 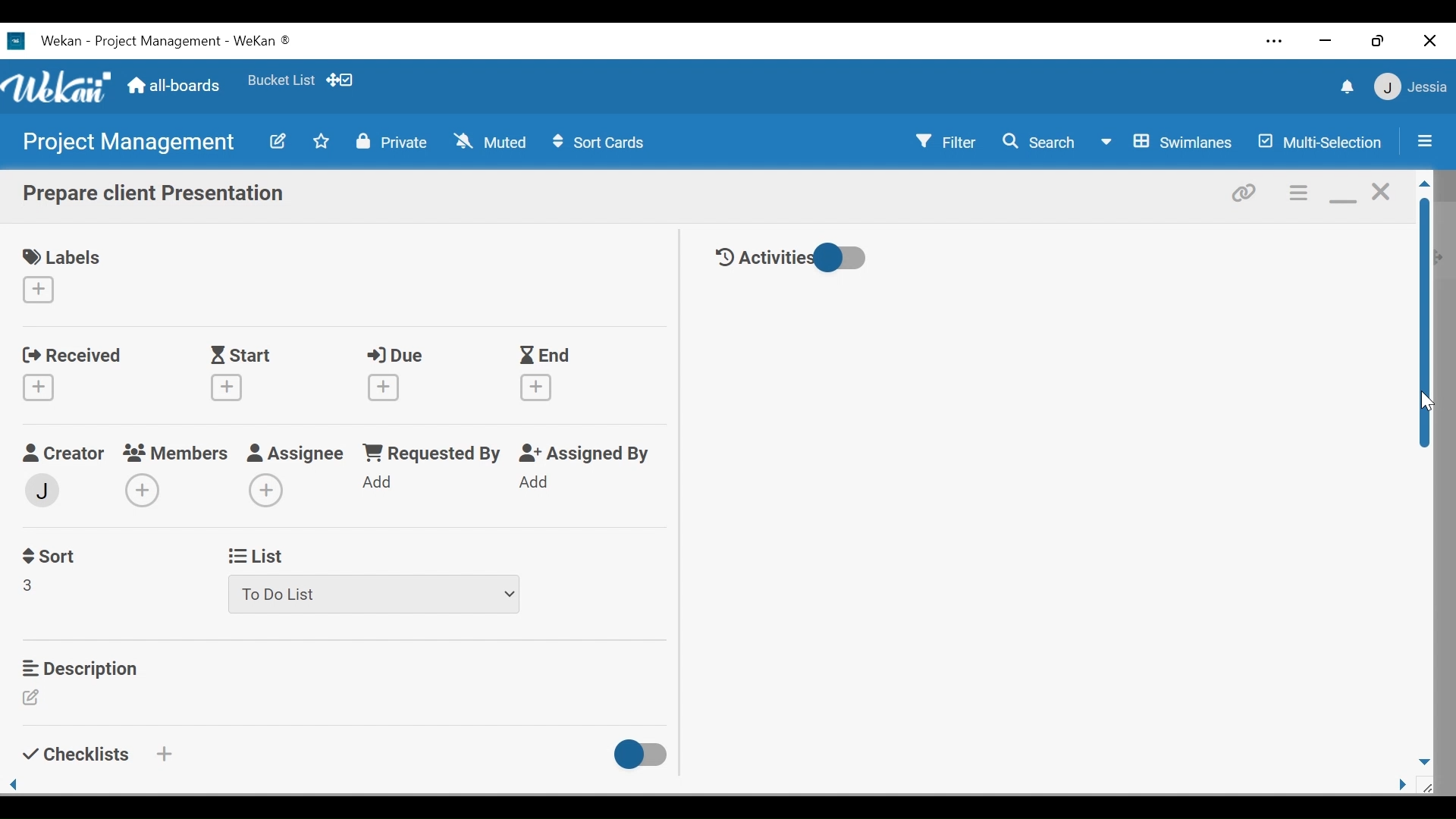 What do you see at coordinates (80, 669) in the screenshot?
I see `Description` at bounding box center [80, 669].